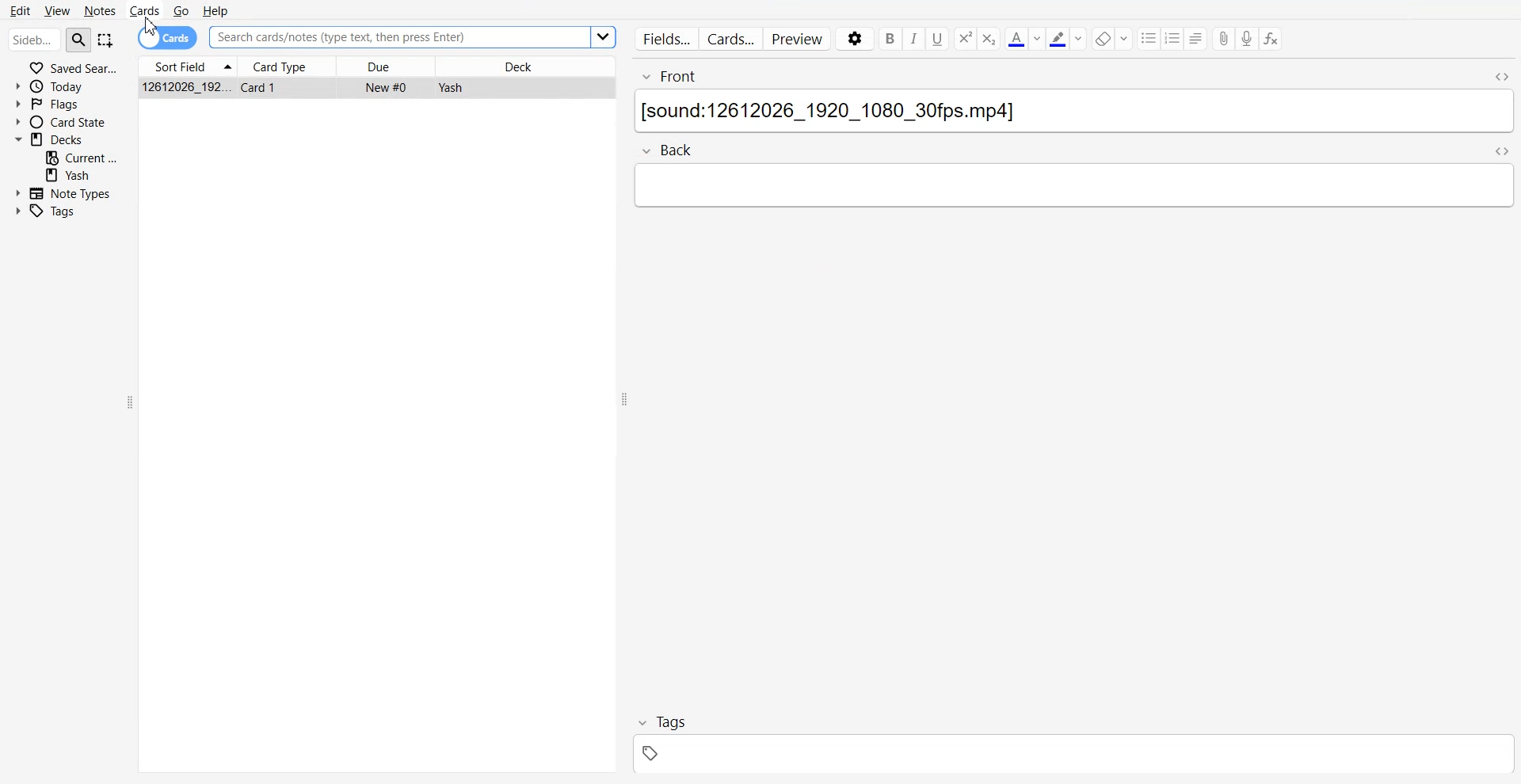 This screenshot has height=784, width=1521. Describe the element at coordinates (55, 211) in the screenshot. I see `Tags` at that location.